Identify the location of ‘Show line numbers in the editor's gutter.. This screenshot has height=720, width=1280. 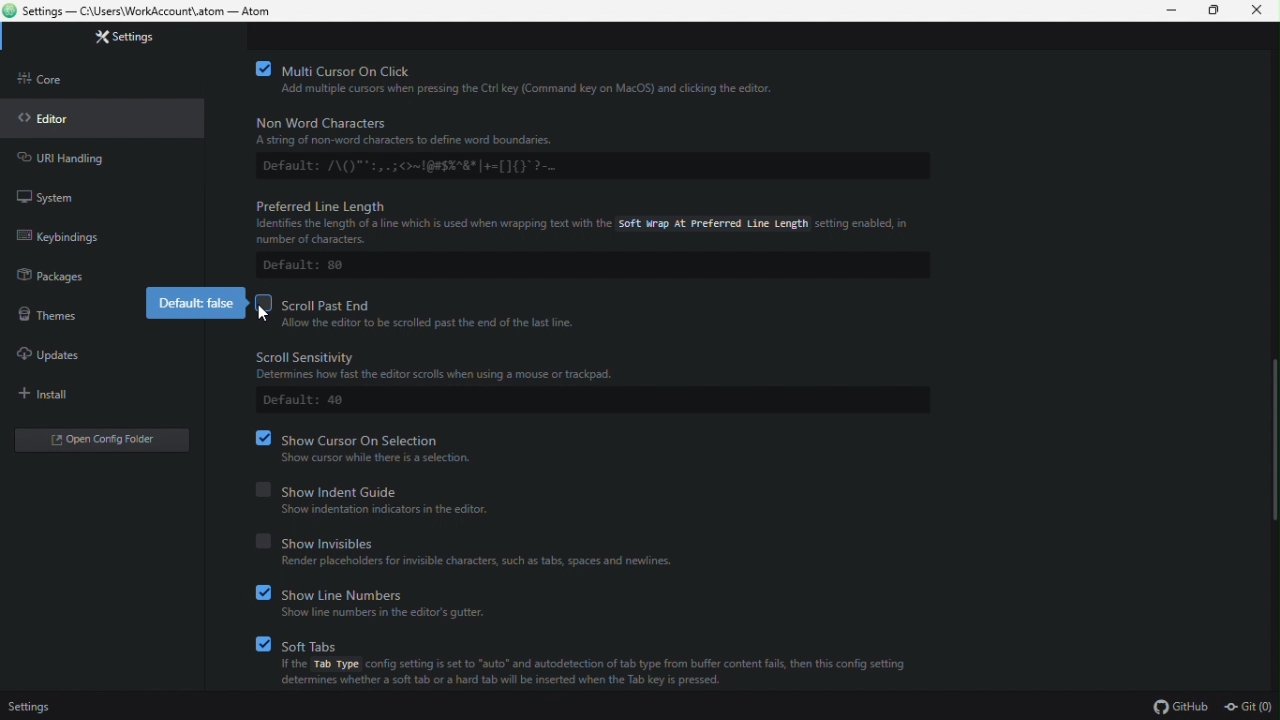
(387, 613).